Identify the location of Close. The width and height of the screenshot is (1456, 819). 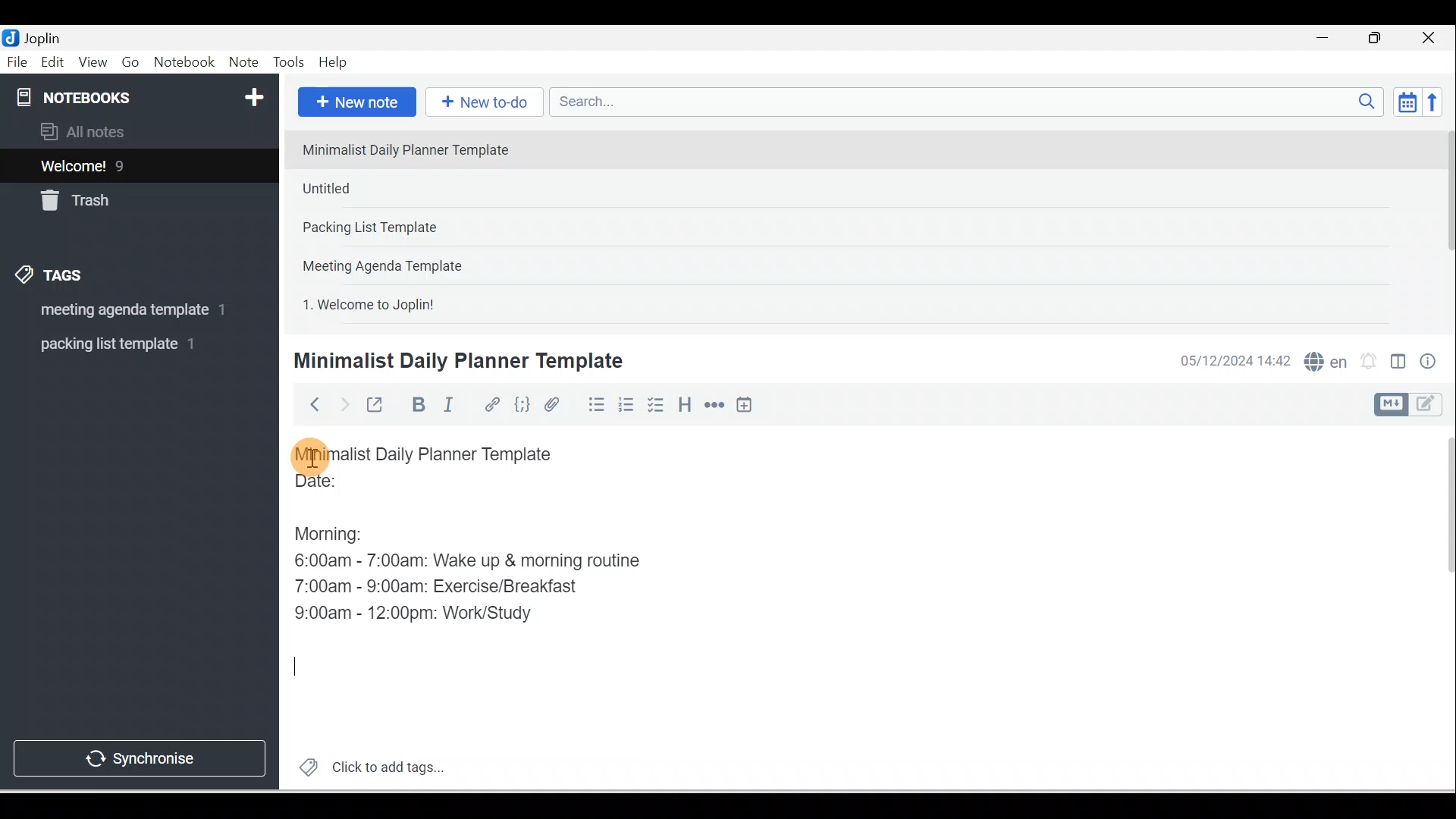
(1432, 38).